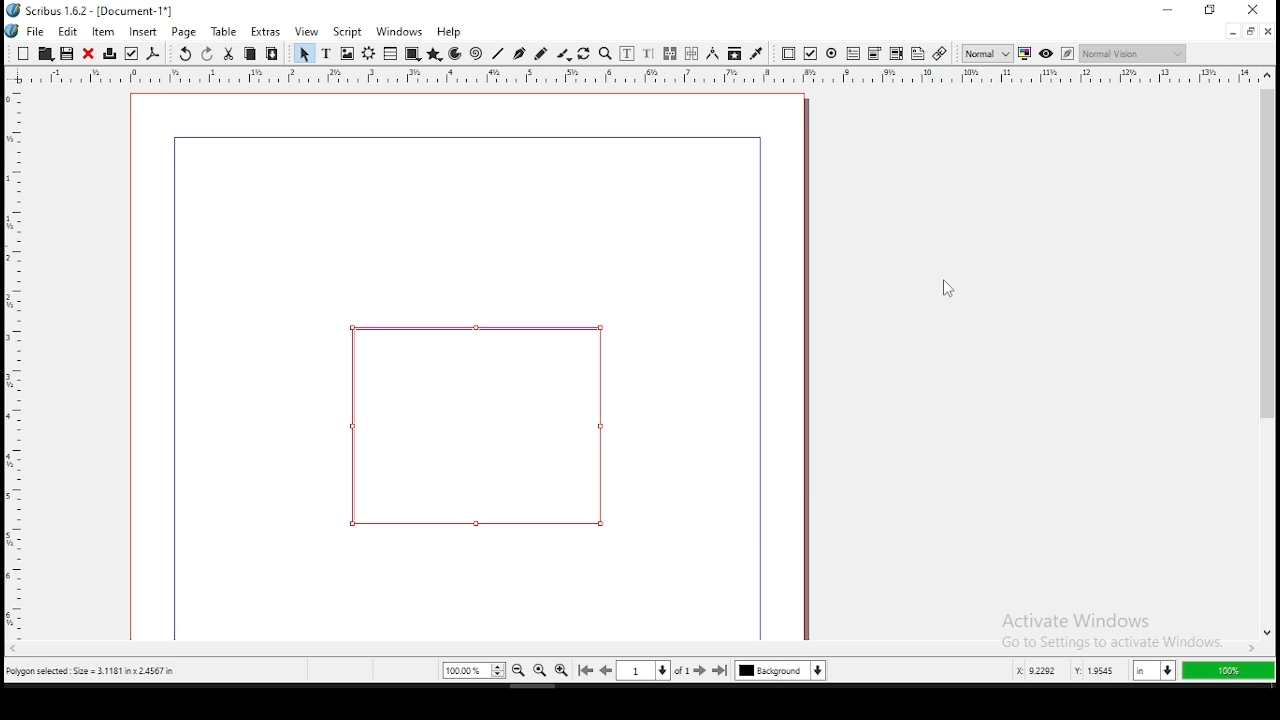  I want to click on windows, so click(399, 32).